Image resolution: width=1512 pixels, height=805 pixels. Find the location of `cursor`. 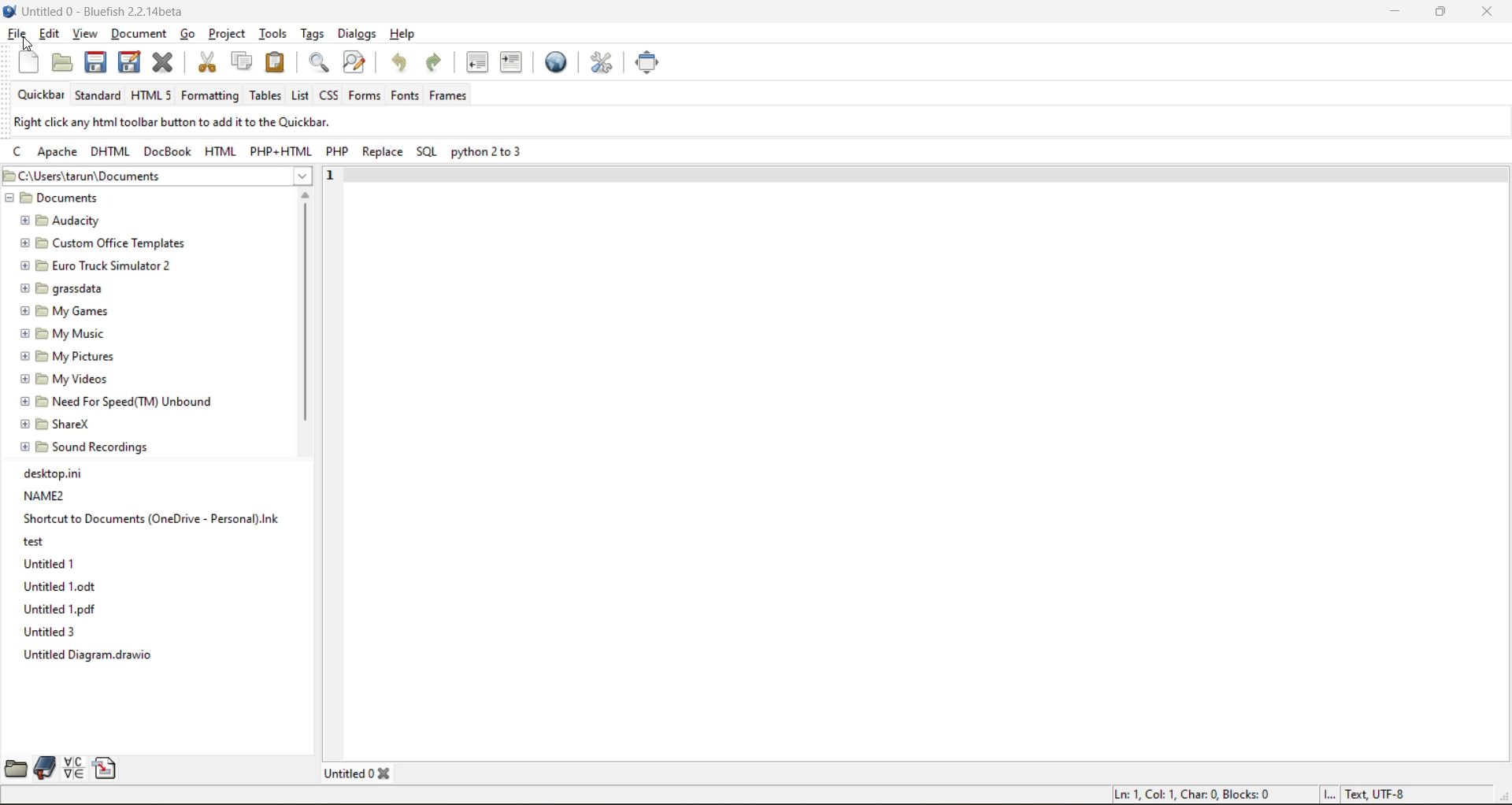

cursor is located at coordinates (25, 44).